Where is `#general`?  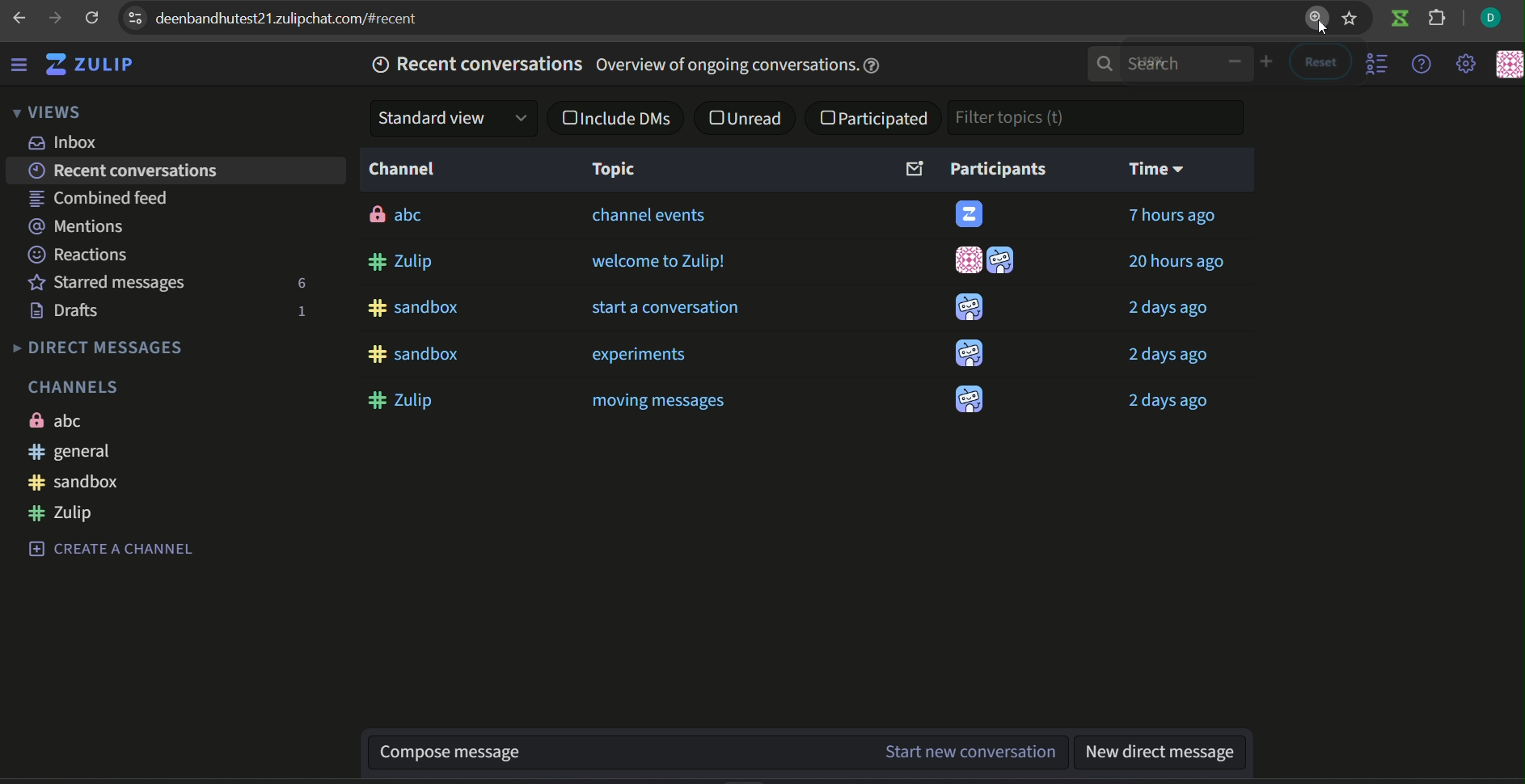 #general is located at coordinates (73, 451).